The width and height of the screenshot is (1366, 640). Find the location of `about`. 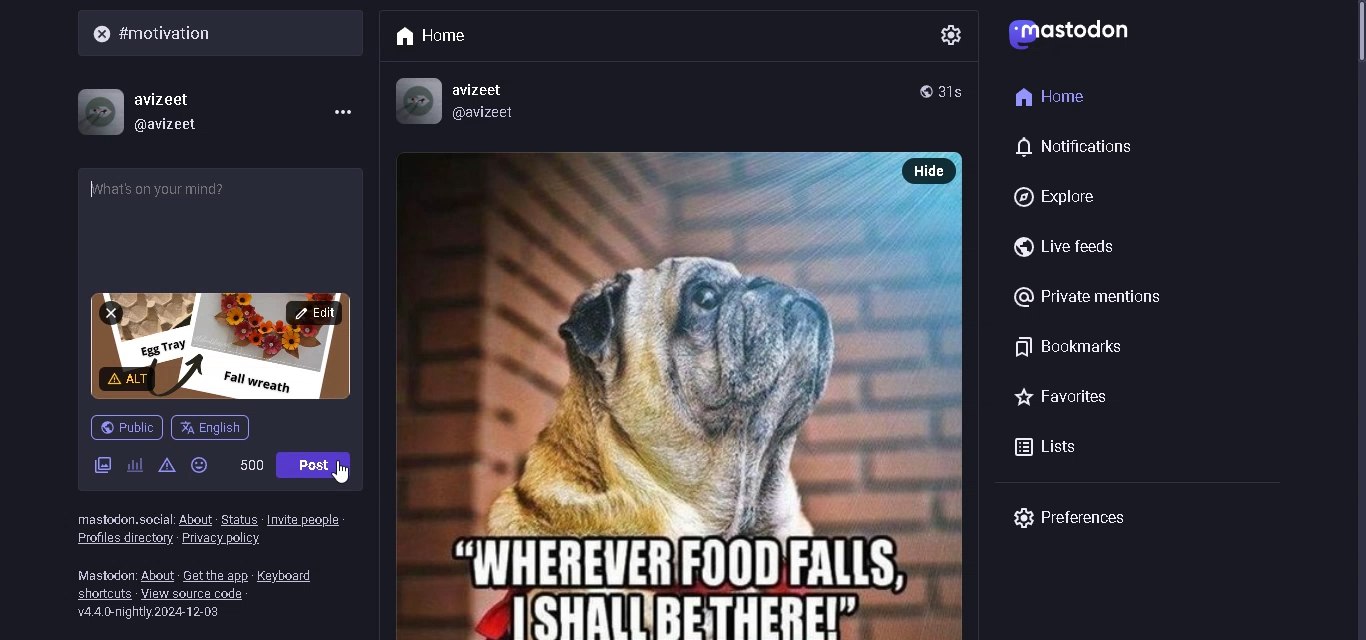

about is located at coordinates (195, 519).